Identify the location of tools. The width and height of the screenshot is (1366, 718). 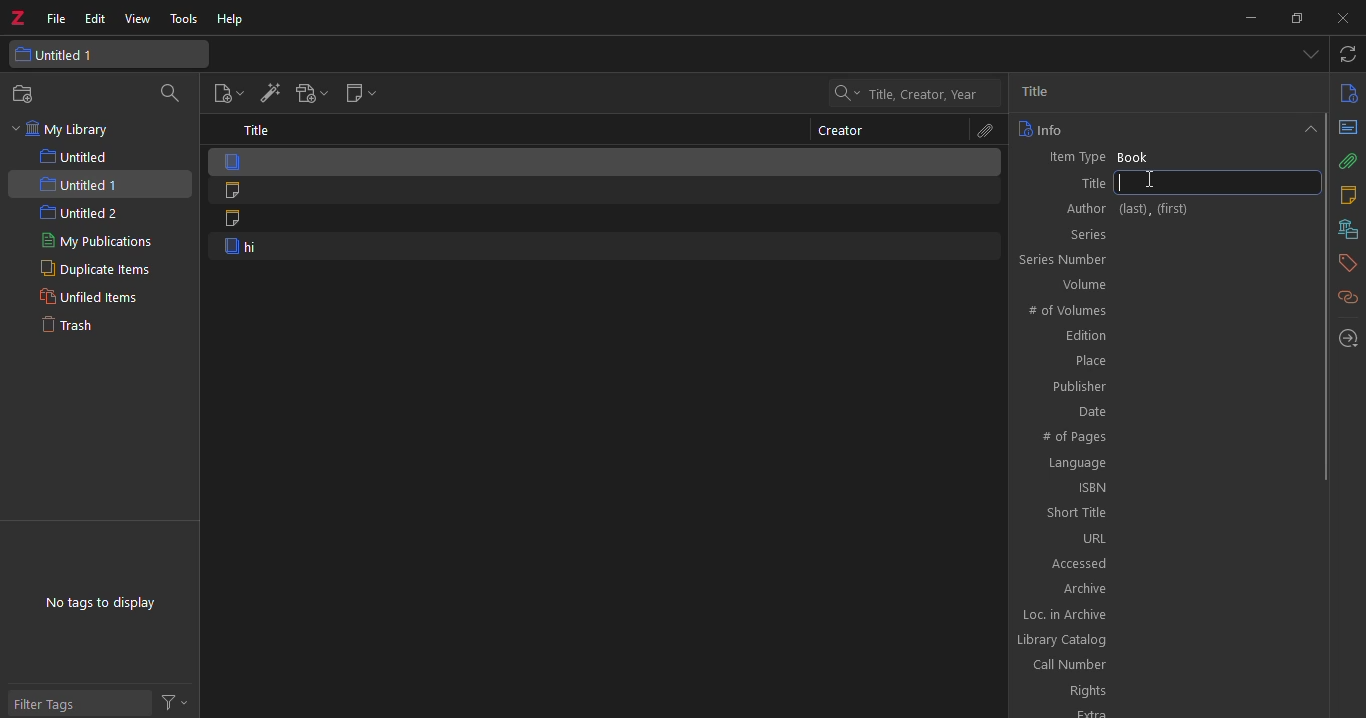
(187, 20).